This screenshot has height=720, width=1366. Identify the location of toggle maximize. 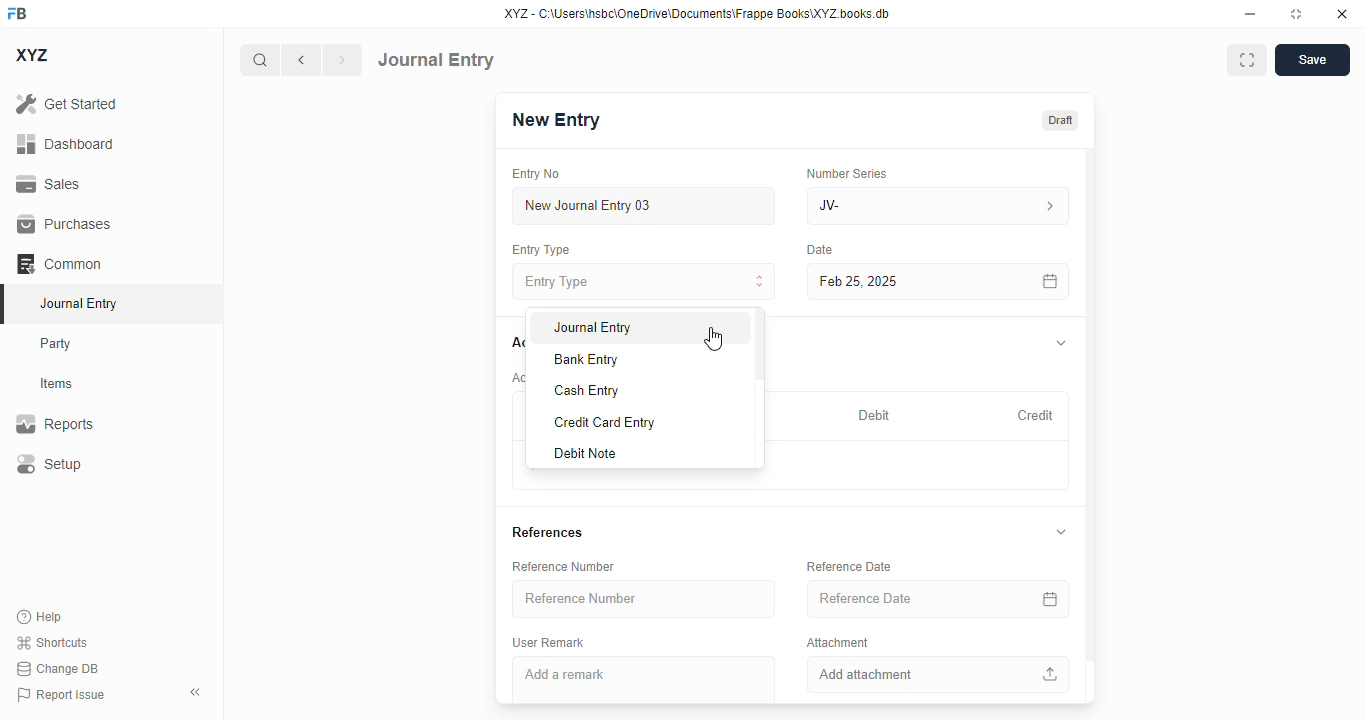
(1295, 14).